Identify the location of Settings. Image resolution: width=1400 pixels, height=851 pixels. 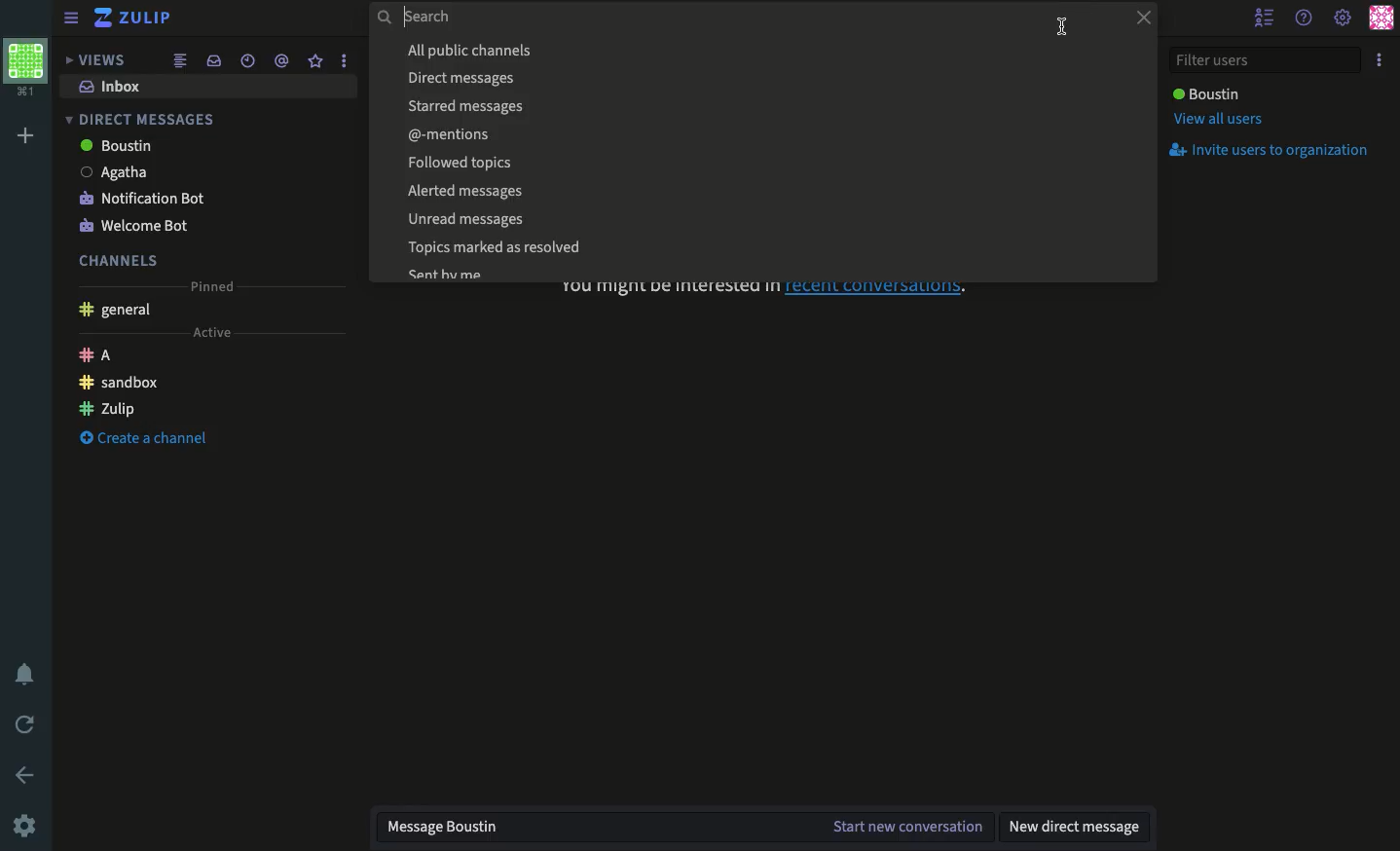
(26, 824).